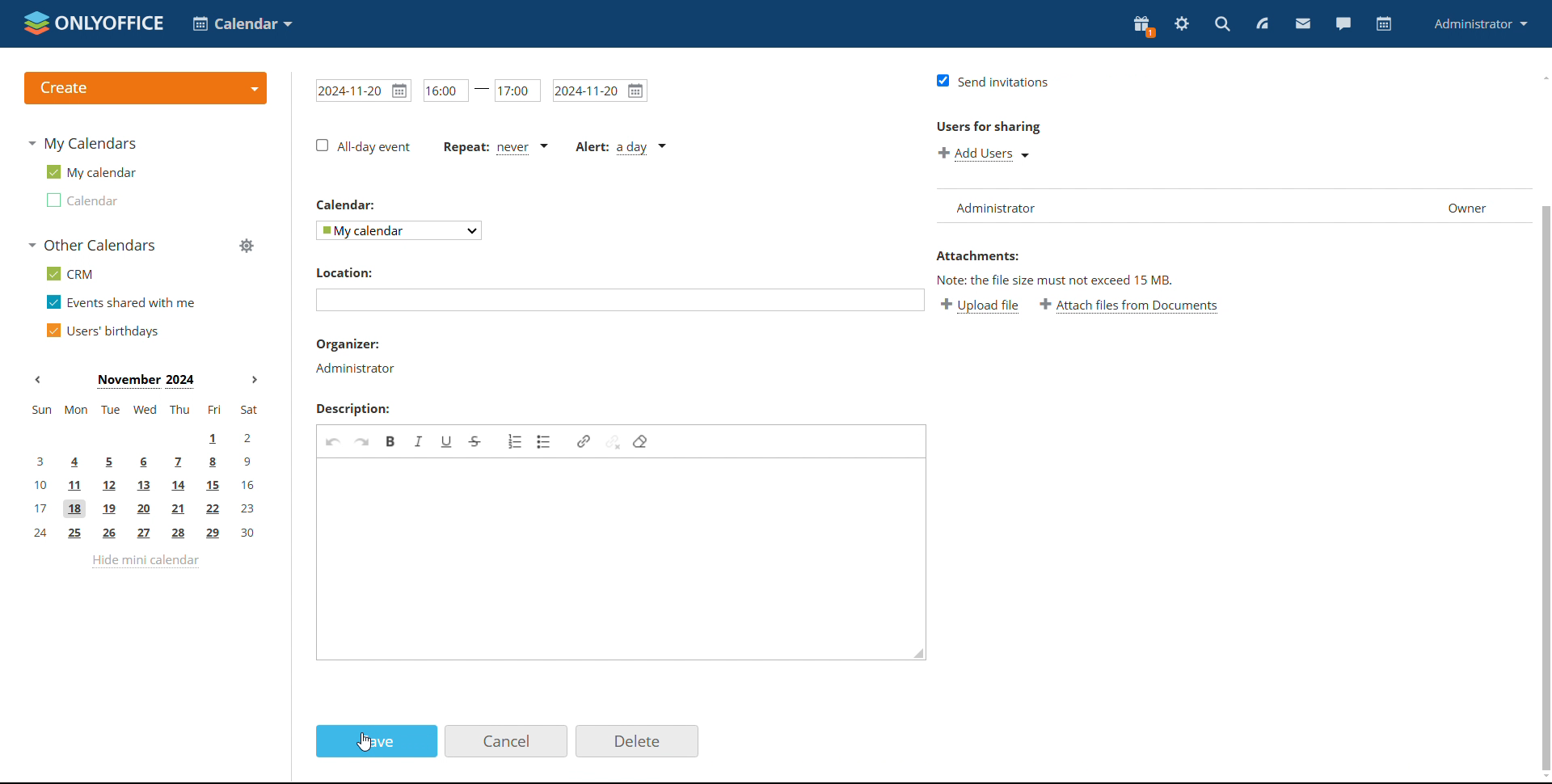 The image size is (1552, 784). What do you see at coordinates (242, 23) in the screenshot?
I see `select application` at bounding box center [242, 23].